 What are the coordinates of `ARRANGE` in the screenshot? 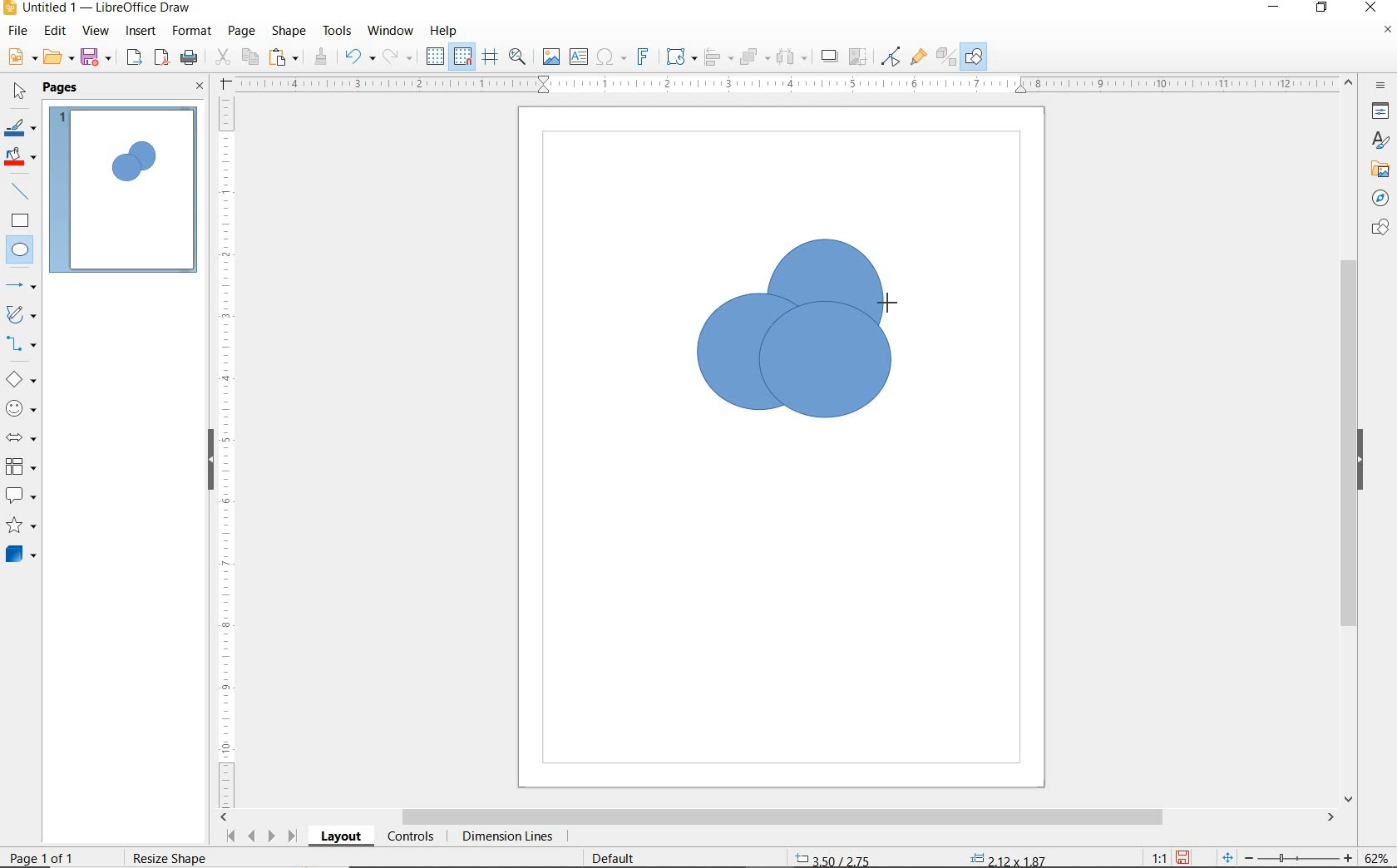 It's located at (754, 57).